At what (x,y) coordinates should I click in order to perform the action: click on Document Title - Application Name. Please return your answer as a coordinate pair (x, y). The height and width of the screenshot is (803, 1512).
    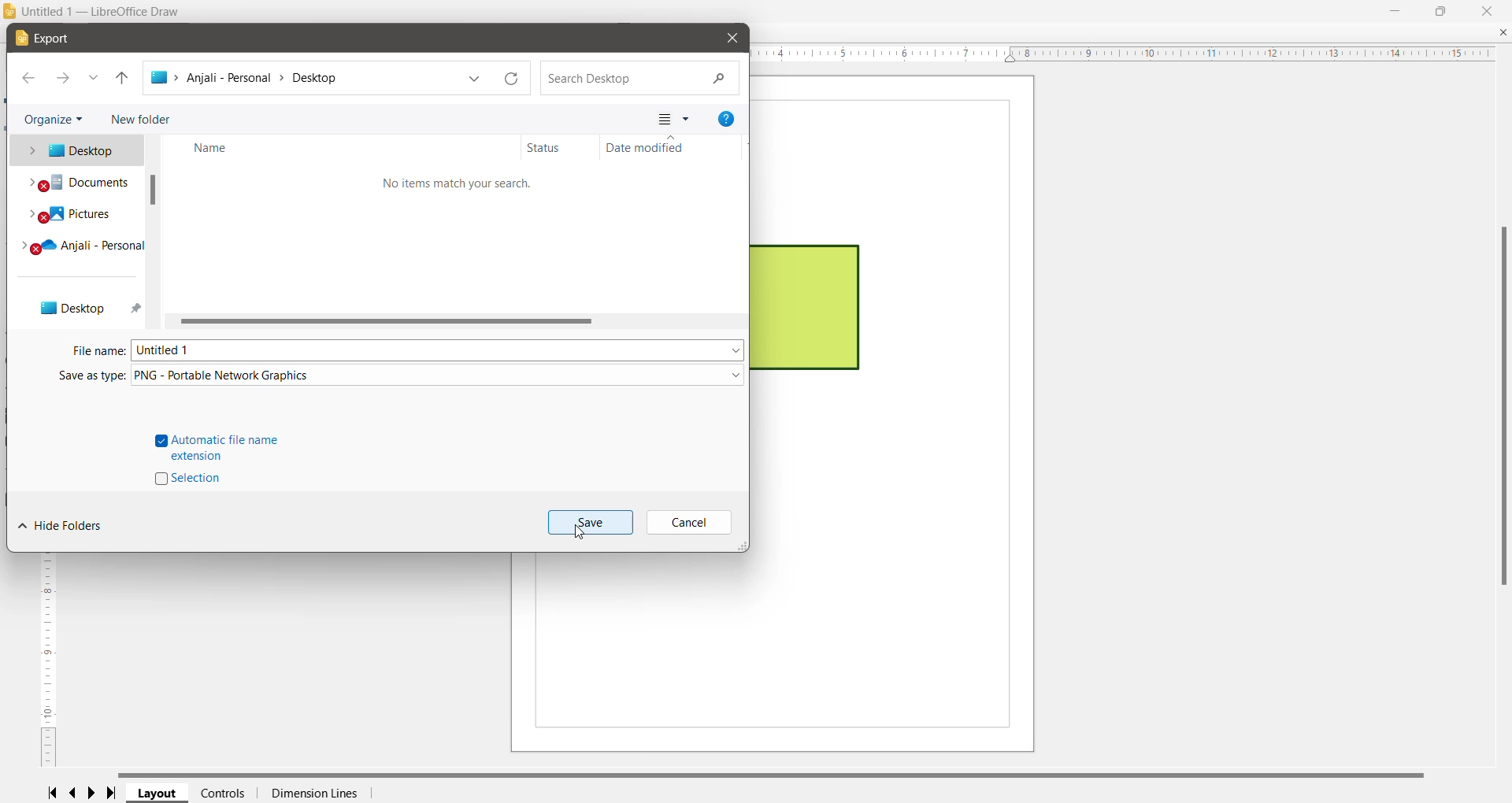
    Looking at the image, I should click on (106, 12).